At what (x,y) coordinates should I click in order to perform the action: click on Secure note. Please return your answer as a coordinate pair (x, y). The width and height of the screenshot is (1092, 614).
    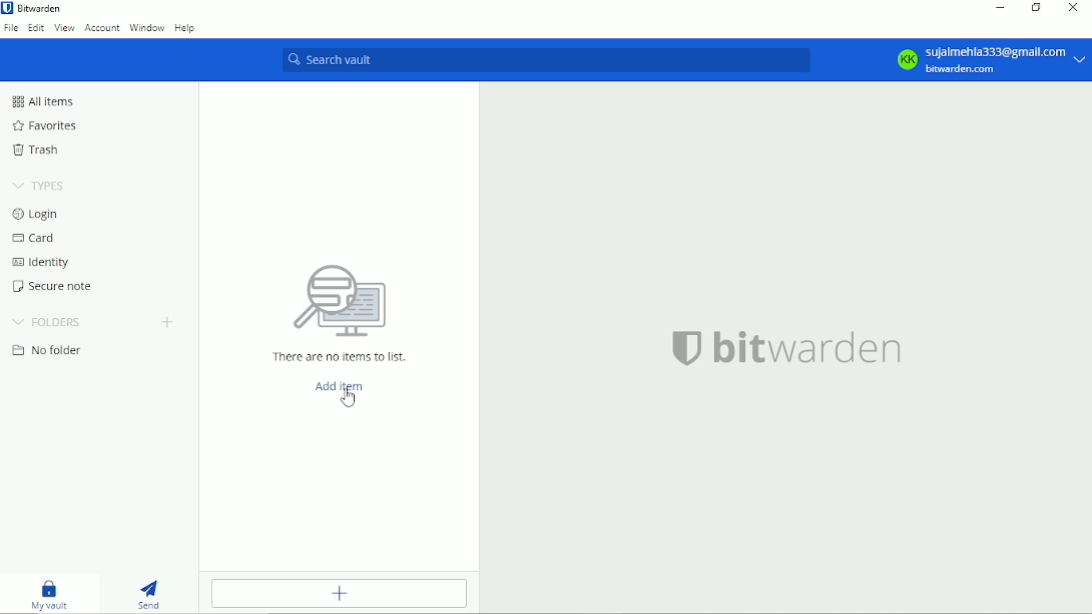
    Looking at the image, I should click on (53, 286).